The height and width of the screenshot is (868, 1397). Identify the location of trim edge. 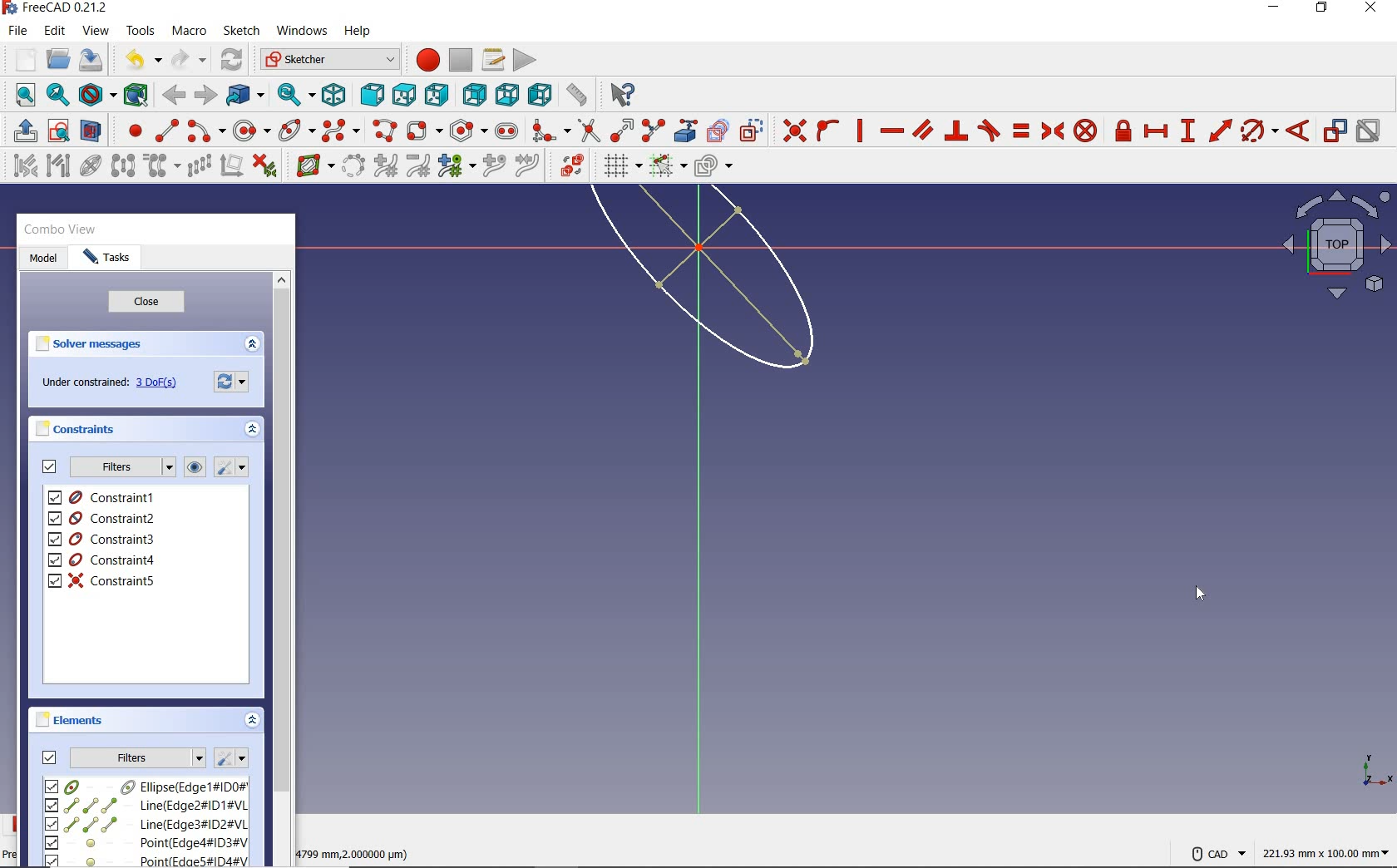
(588, 130).